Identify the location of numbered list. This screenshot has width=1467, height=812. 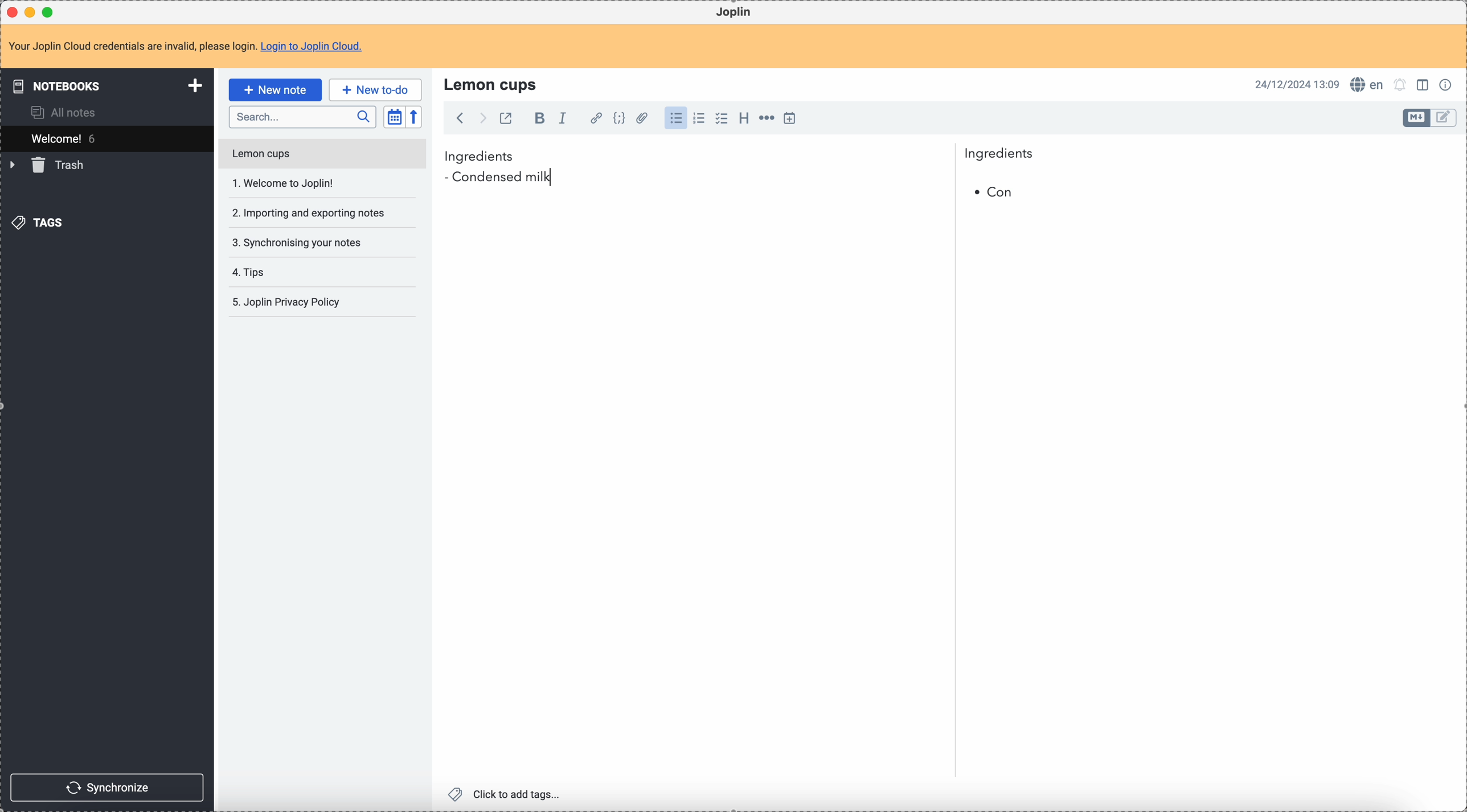
(700, 118).